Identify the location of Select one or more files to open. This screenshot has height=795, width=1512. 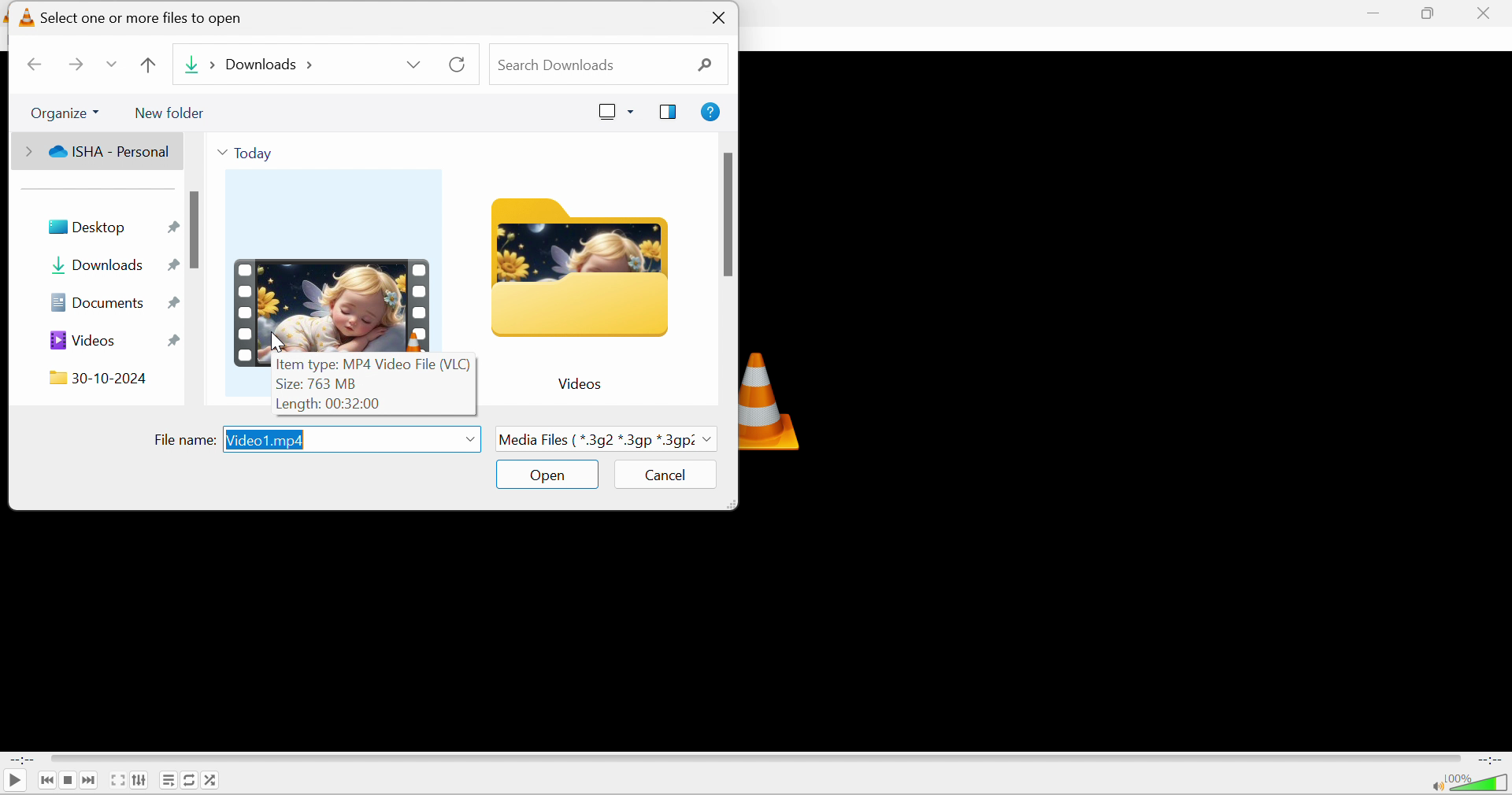
(147, 19).